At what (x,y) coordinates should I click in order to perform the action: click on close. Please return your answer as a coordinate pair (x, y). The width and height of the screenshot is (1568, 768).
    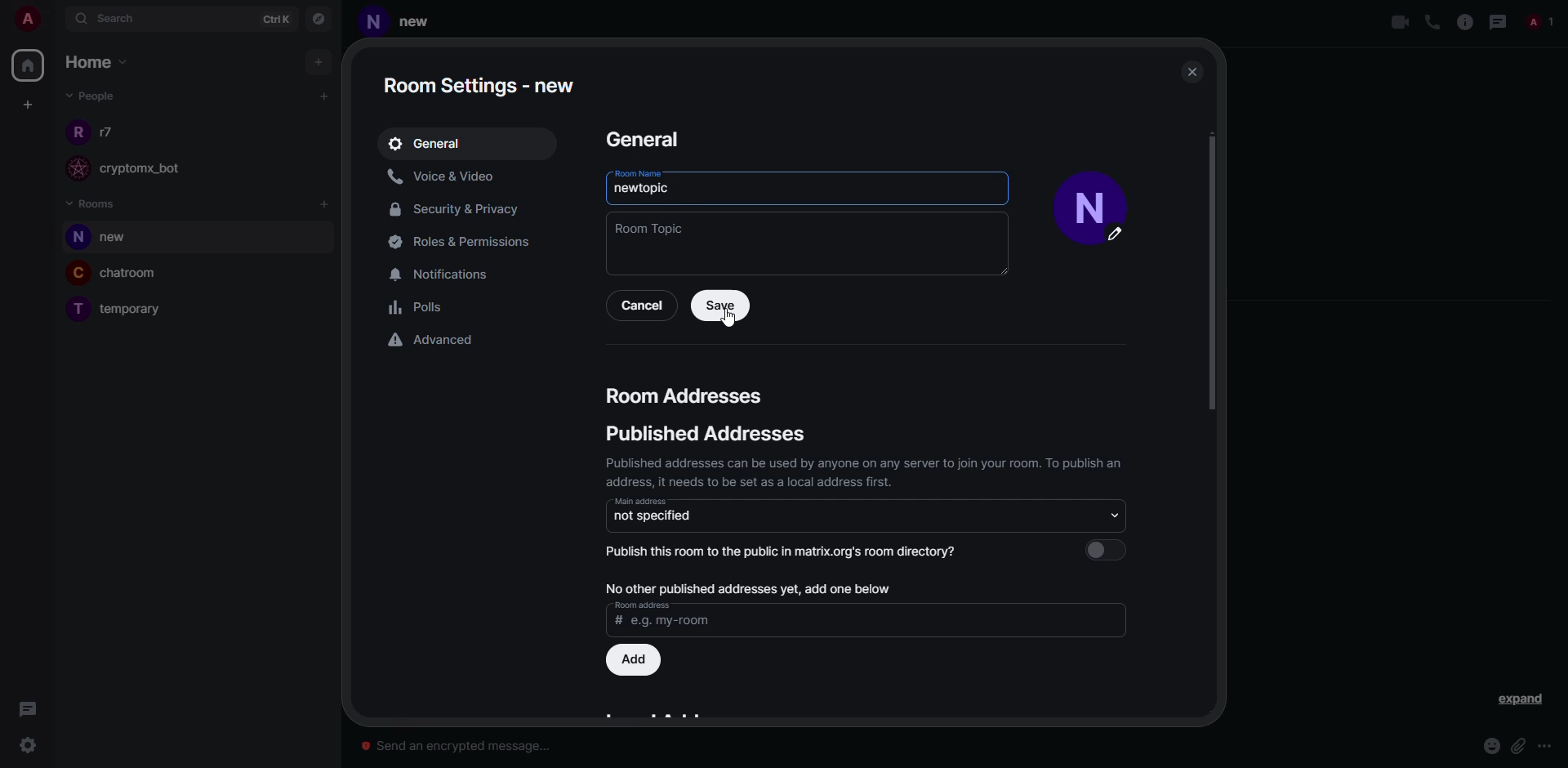
    Looking at the image, I should click on (1192, 70).